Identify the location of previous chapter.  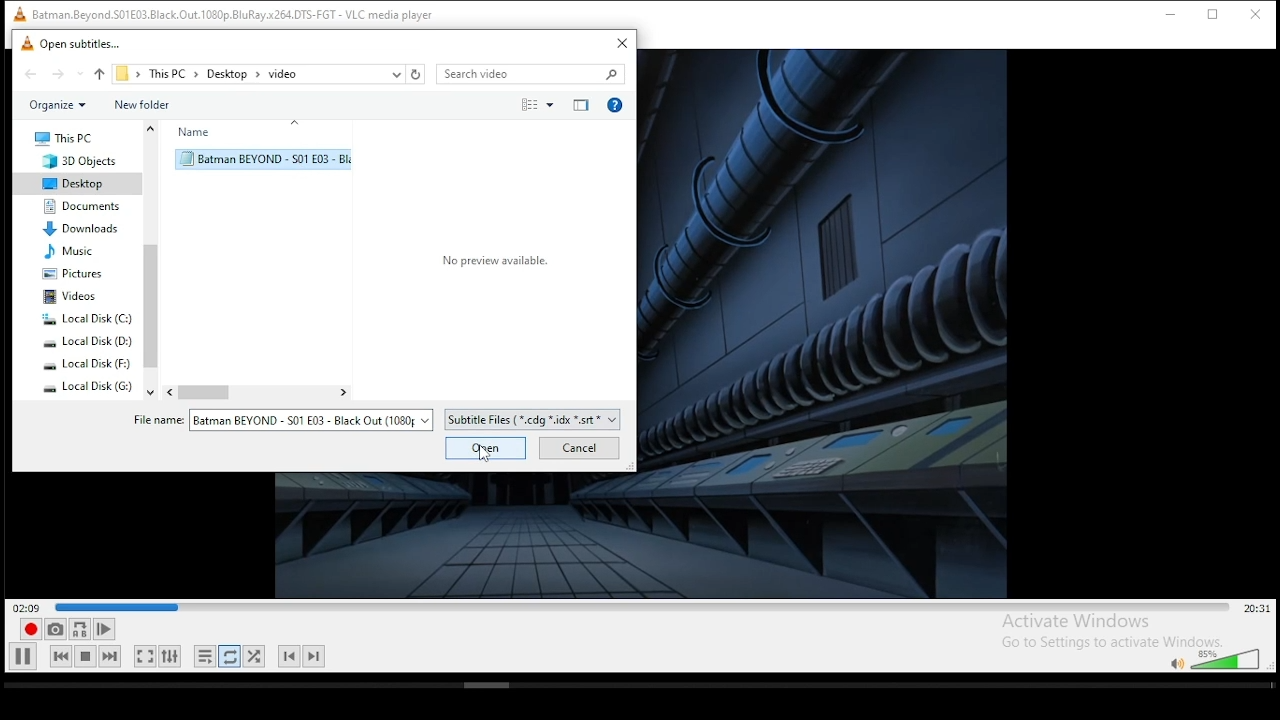
(289, 656).